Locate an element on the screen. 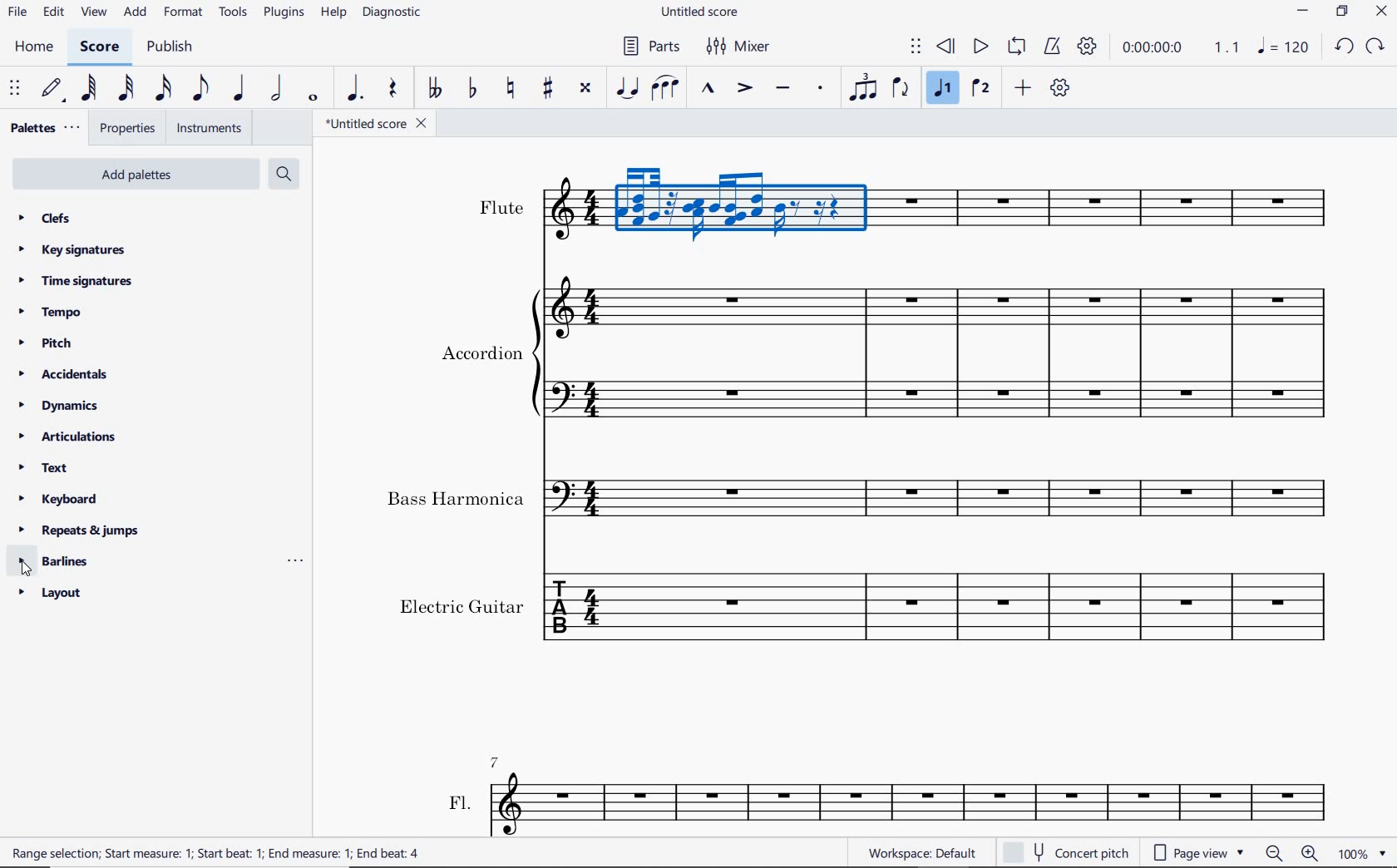  search palettes is located at coordinates (284, 173).